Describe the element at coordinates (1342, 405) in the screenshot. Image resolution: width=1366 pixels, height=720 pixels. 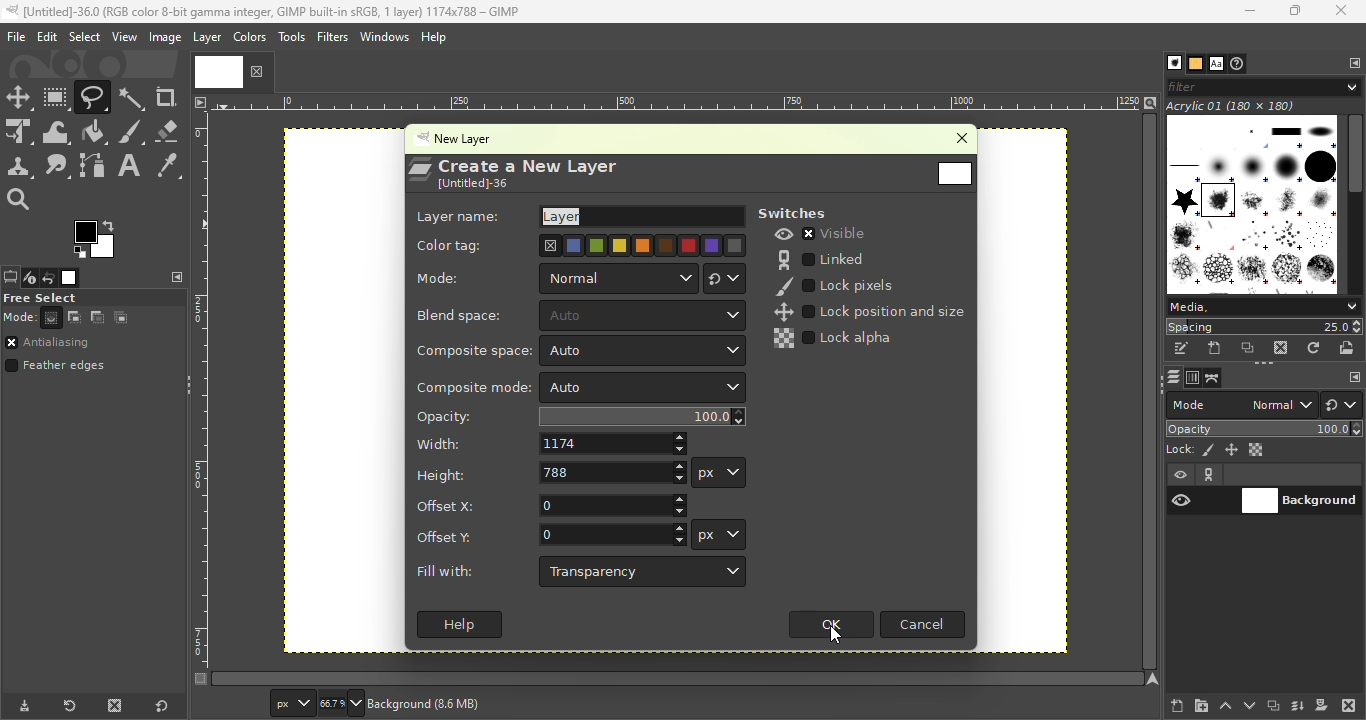
I see `Switch to another group of modes` at that location.